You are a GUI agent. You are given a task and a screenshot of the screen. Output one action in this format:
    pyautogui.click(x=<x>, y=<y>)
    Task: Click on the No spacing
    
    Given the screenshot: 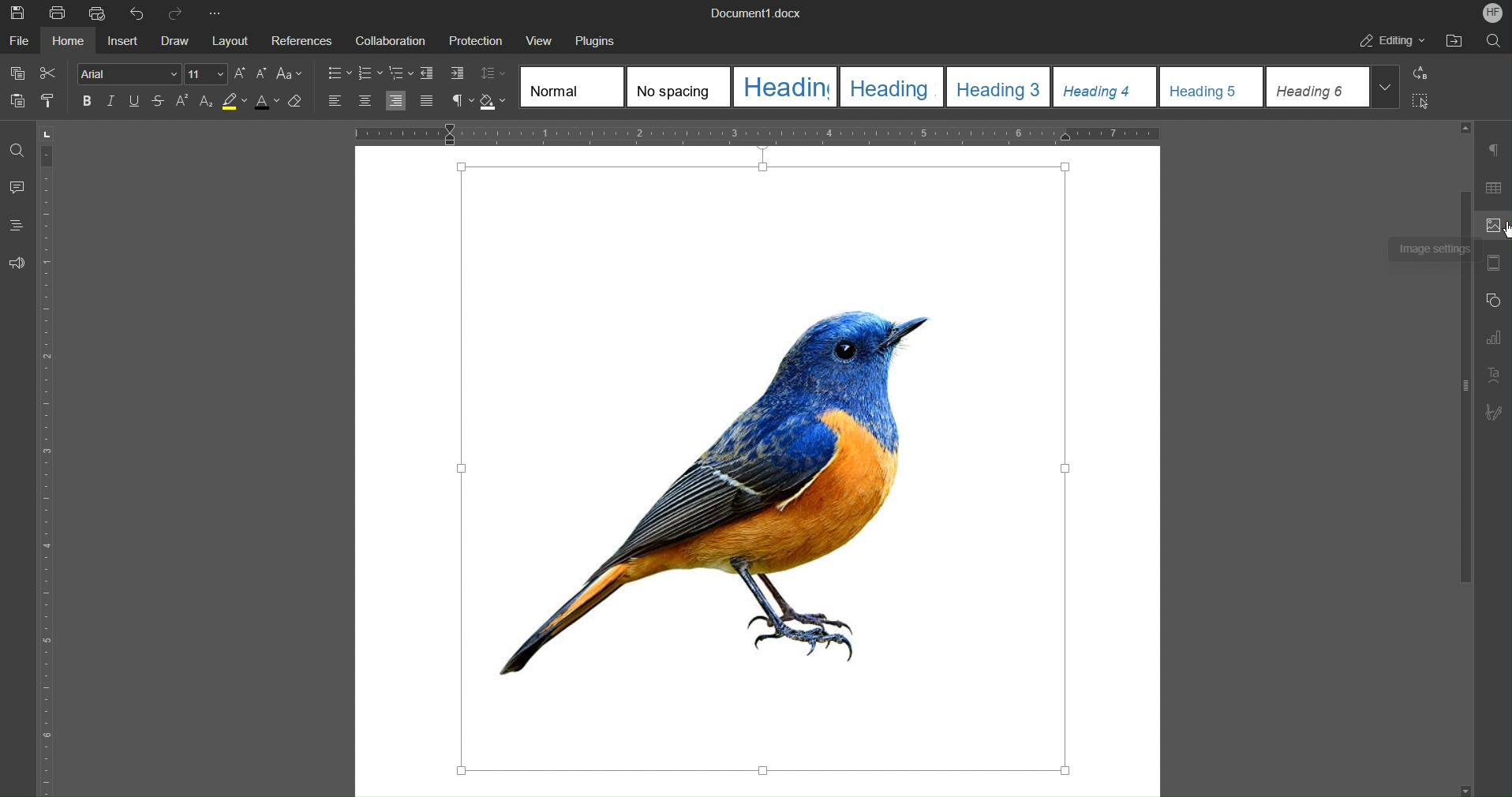 What is the action you would take?
    pyautogui.click(x=676, y=88)
    